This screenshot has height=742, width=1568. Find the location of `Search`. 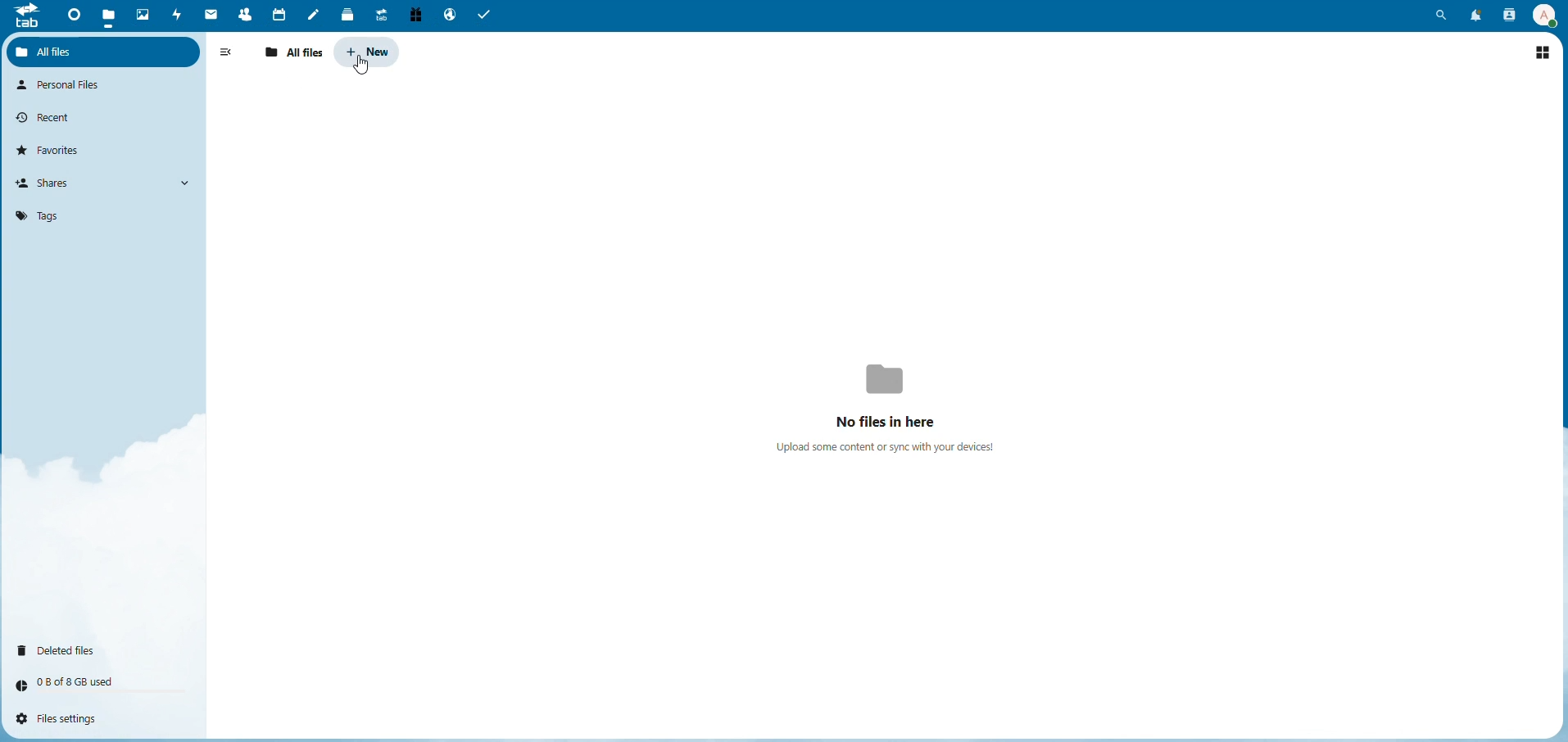

Search is located at coordinates (1443, 15).